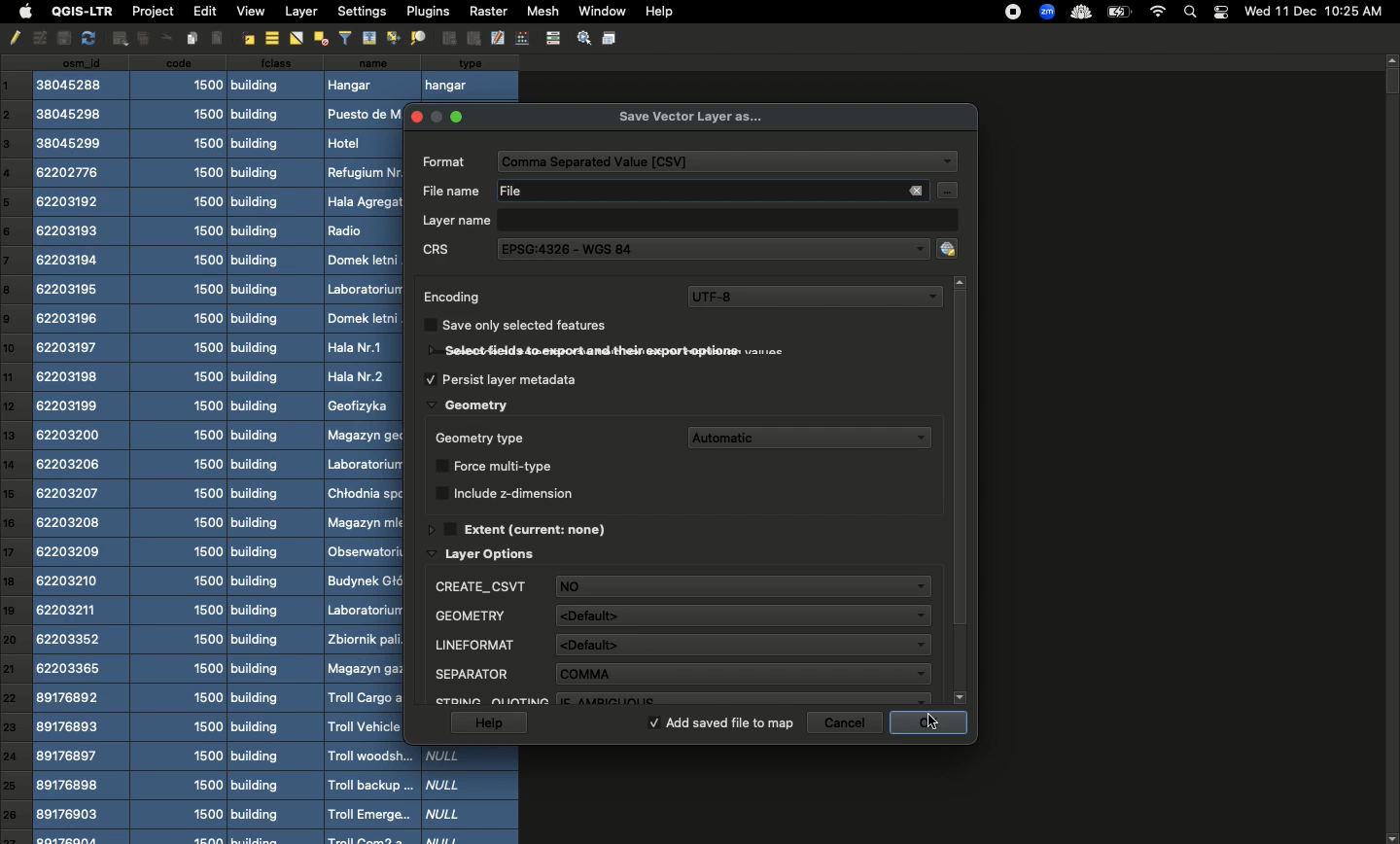 The image size is (1400, 844). Describe the element at coordinates (1118, 13) in the screenshot. I see `Charge` at that location.